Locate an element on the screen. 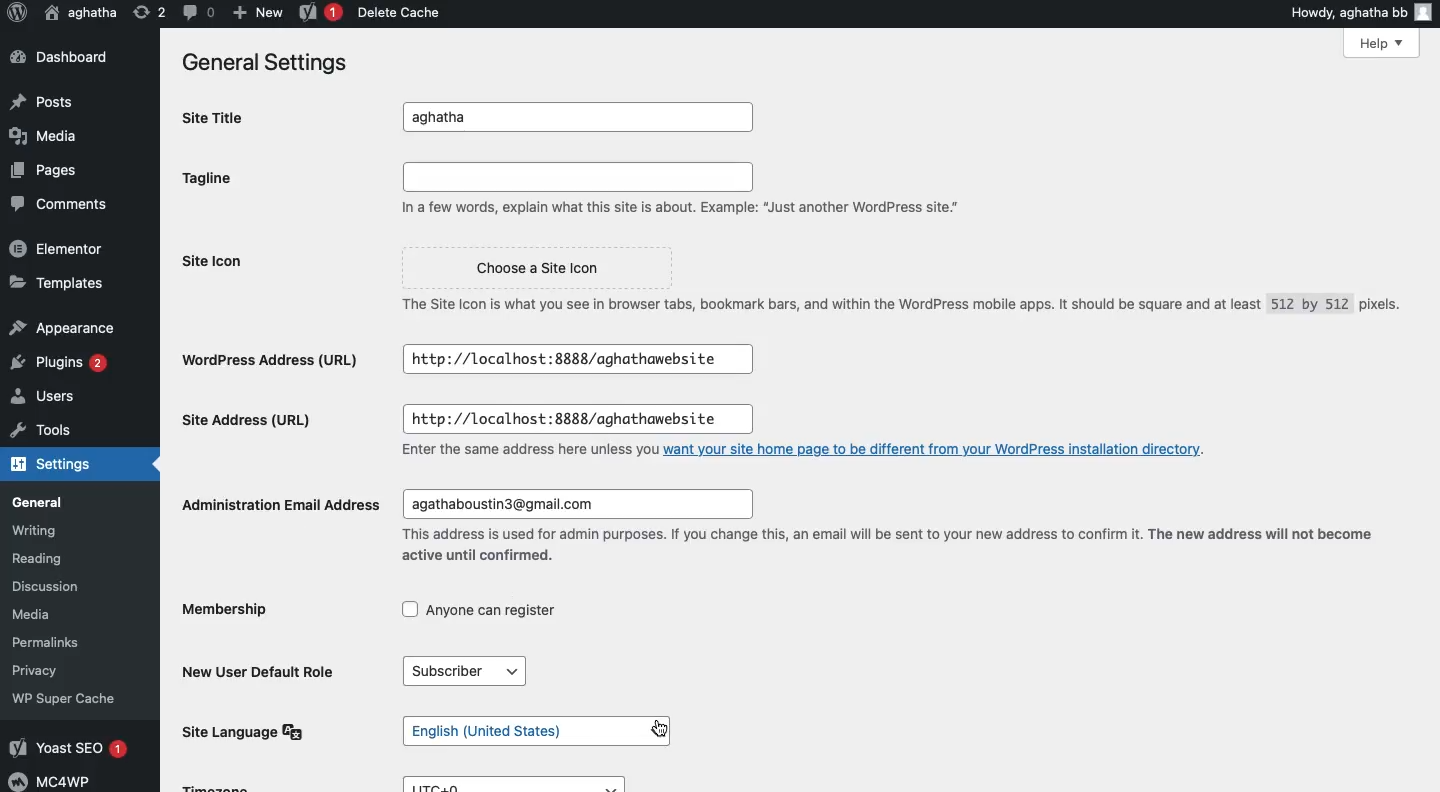  Users is located at coordinates (50, 397).